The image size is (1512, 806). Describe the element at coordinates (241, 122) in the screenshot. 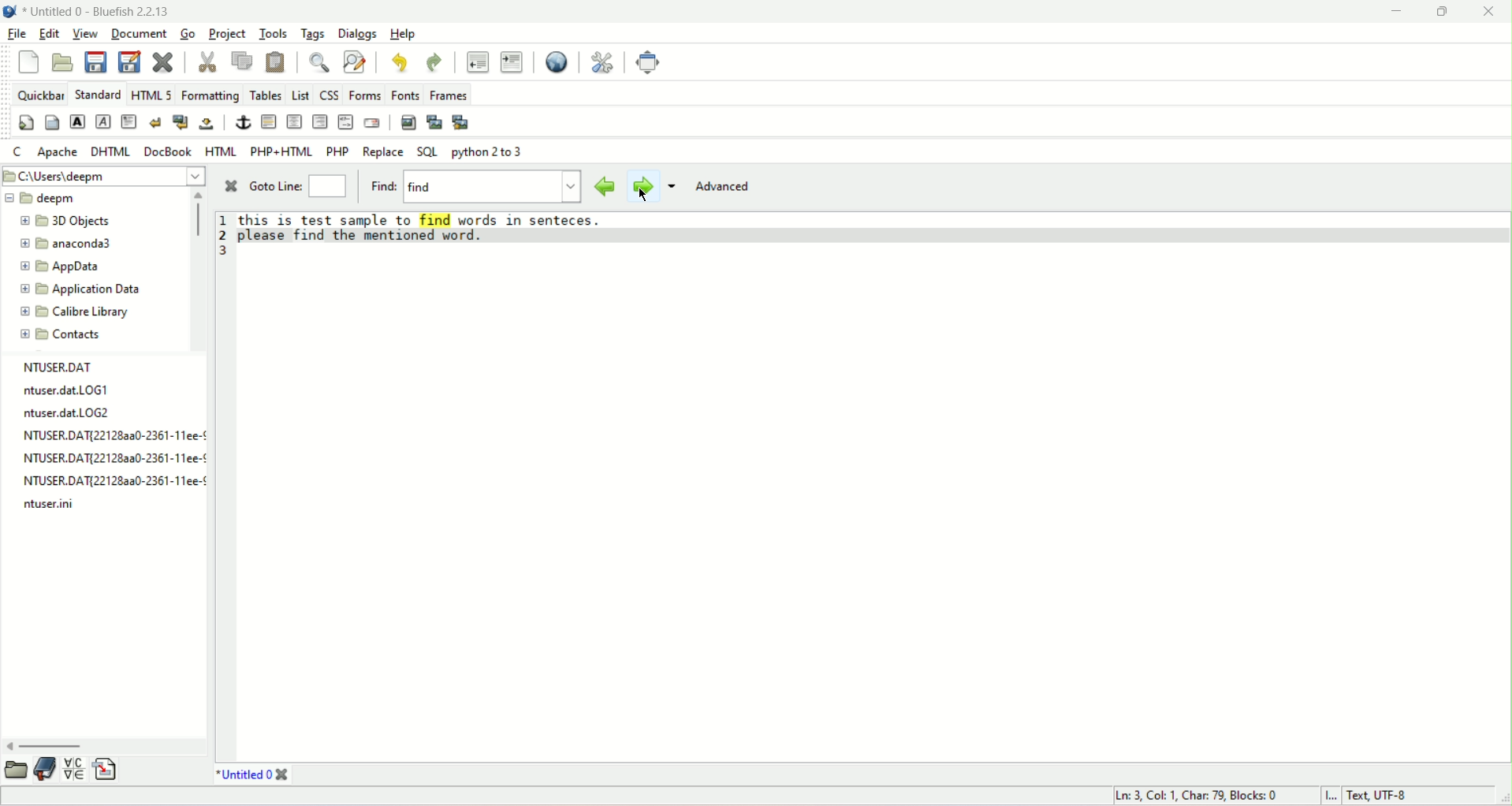

I see `anchor` at that location.